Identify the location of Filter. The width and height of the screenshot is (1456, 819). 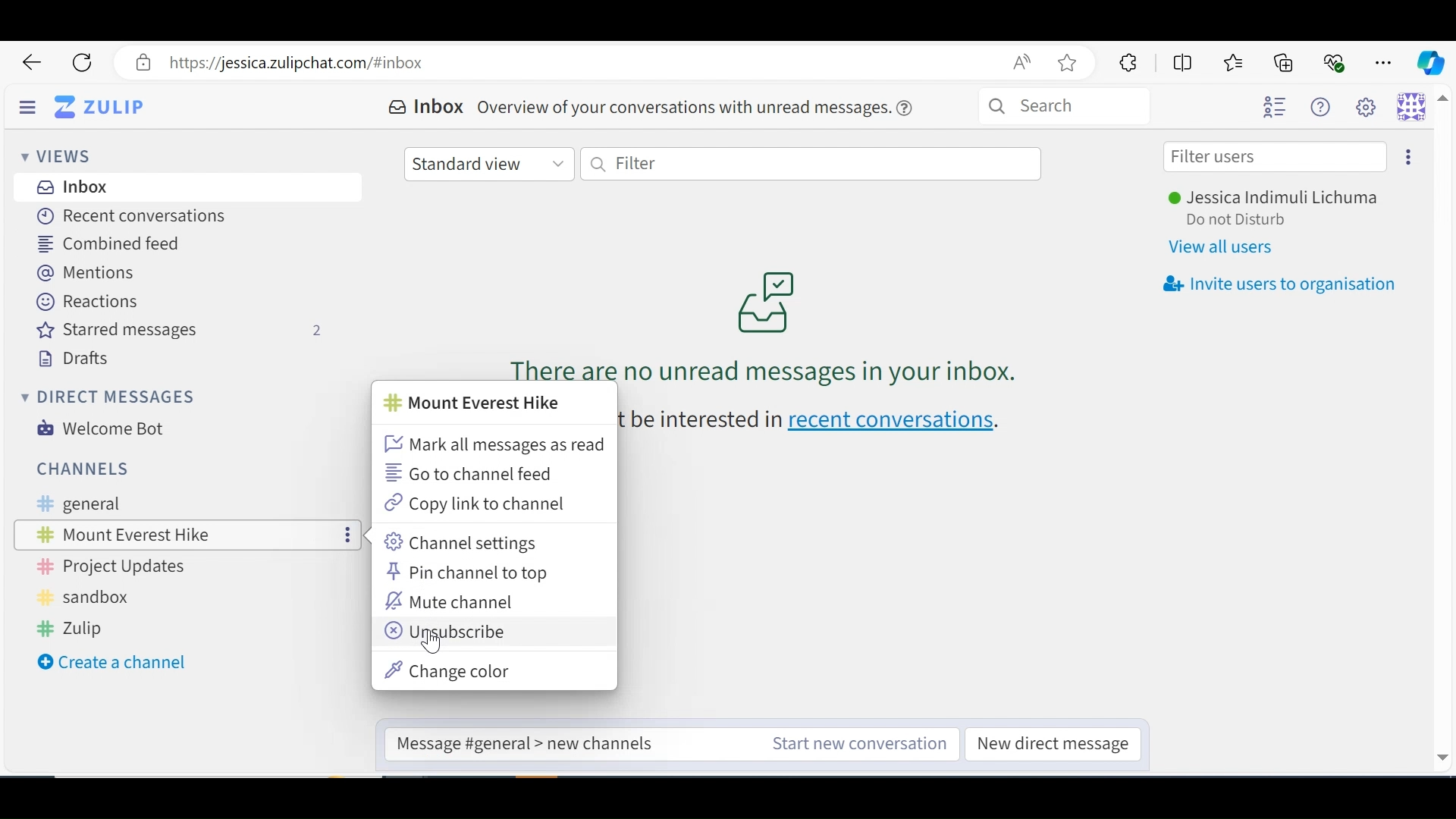
(813, 165).